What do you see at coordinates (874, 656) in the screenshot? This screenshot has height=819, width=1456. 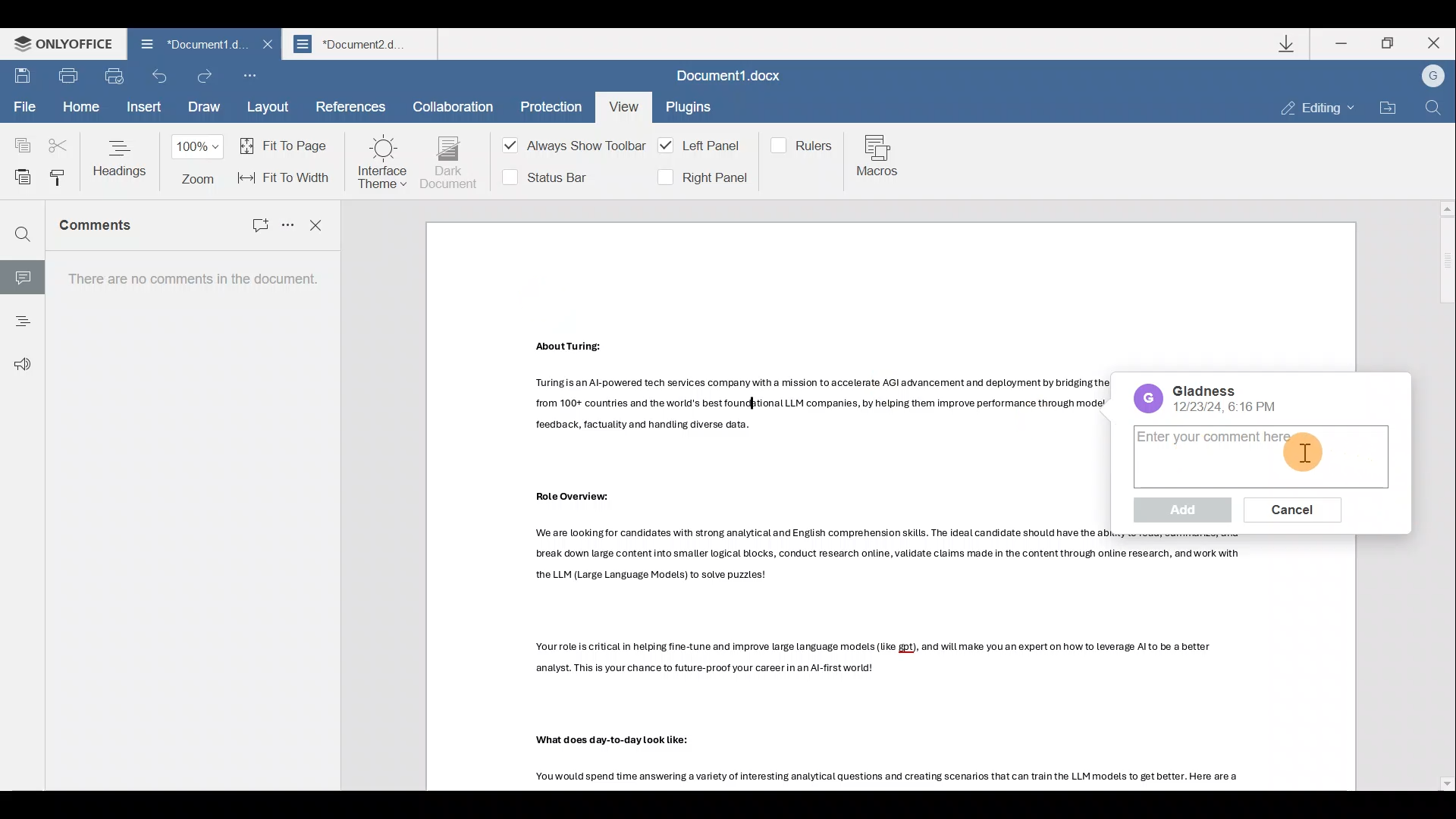 I see `` at bounding box center [874, 656].